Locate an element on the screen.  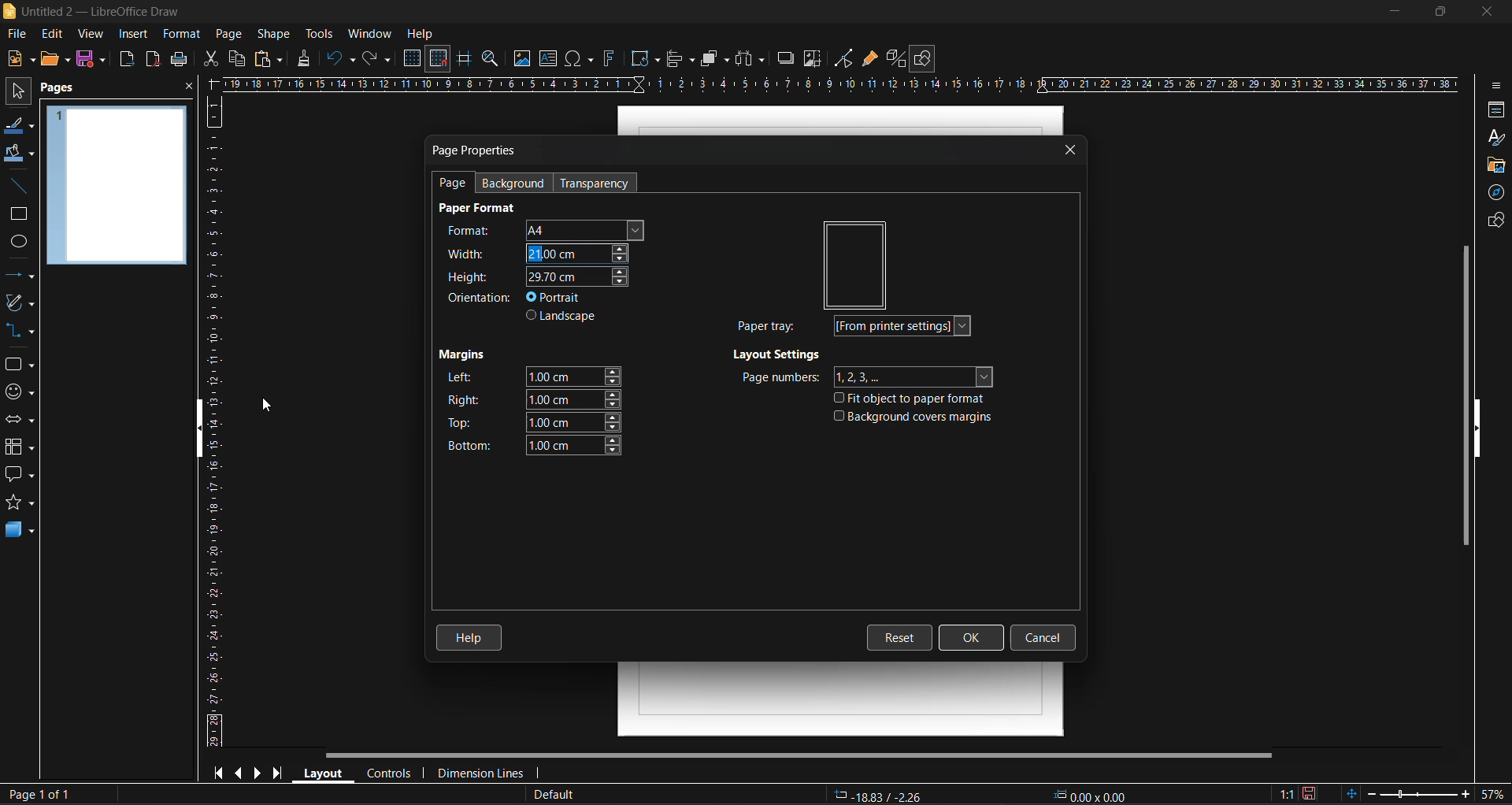
slide master name is located at coordinates (558, 795).